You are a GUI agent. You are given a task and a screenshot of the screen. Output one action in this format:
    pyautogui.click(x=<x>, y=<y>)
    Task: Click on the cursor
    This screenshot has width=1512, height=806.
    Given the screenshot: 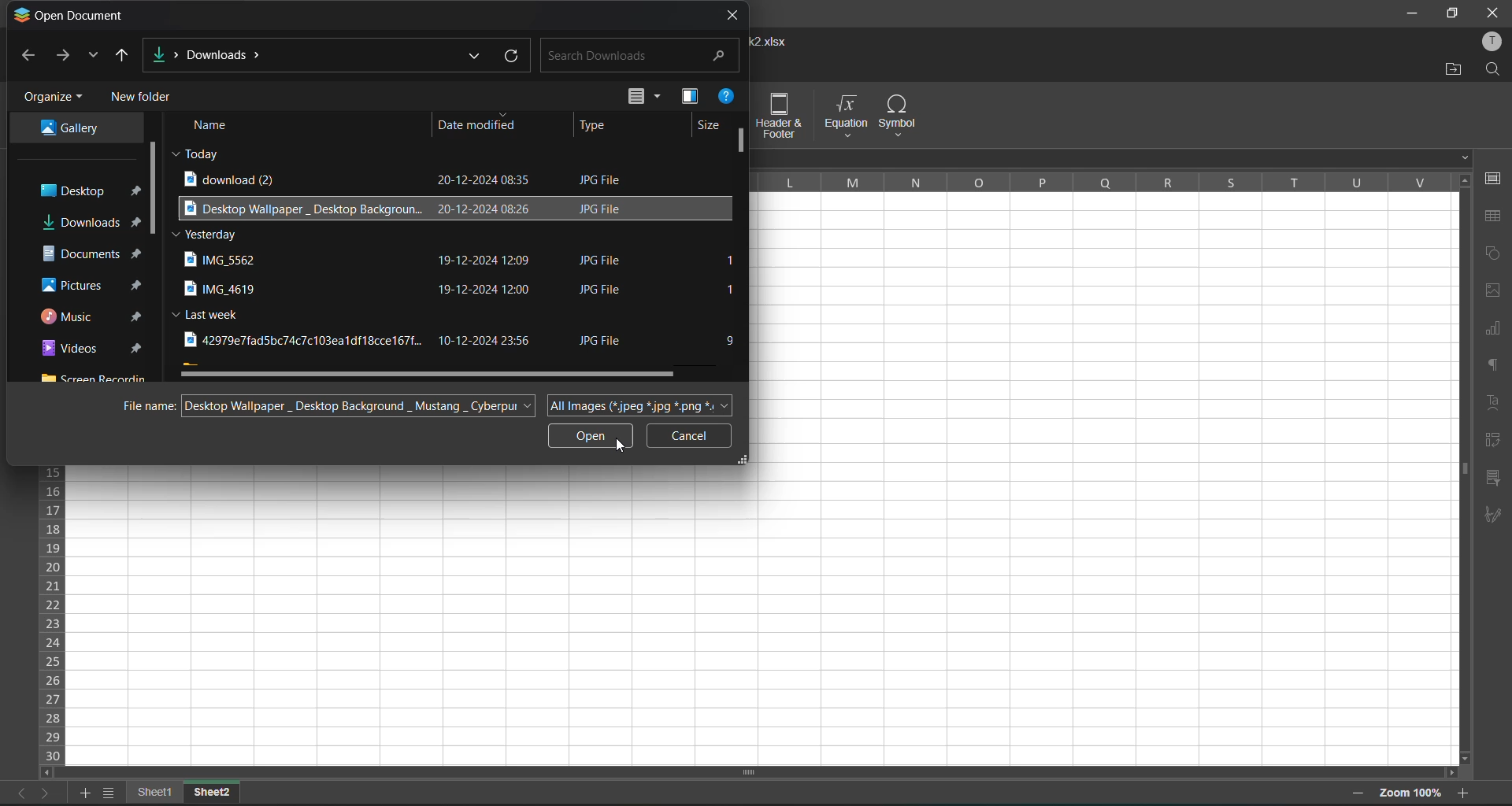 What is the action you would take?
    pyautogui.click(x=620, y=448)
    